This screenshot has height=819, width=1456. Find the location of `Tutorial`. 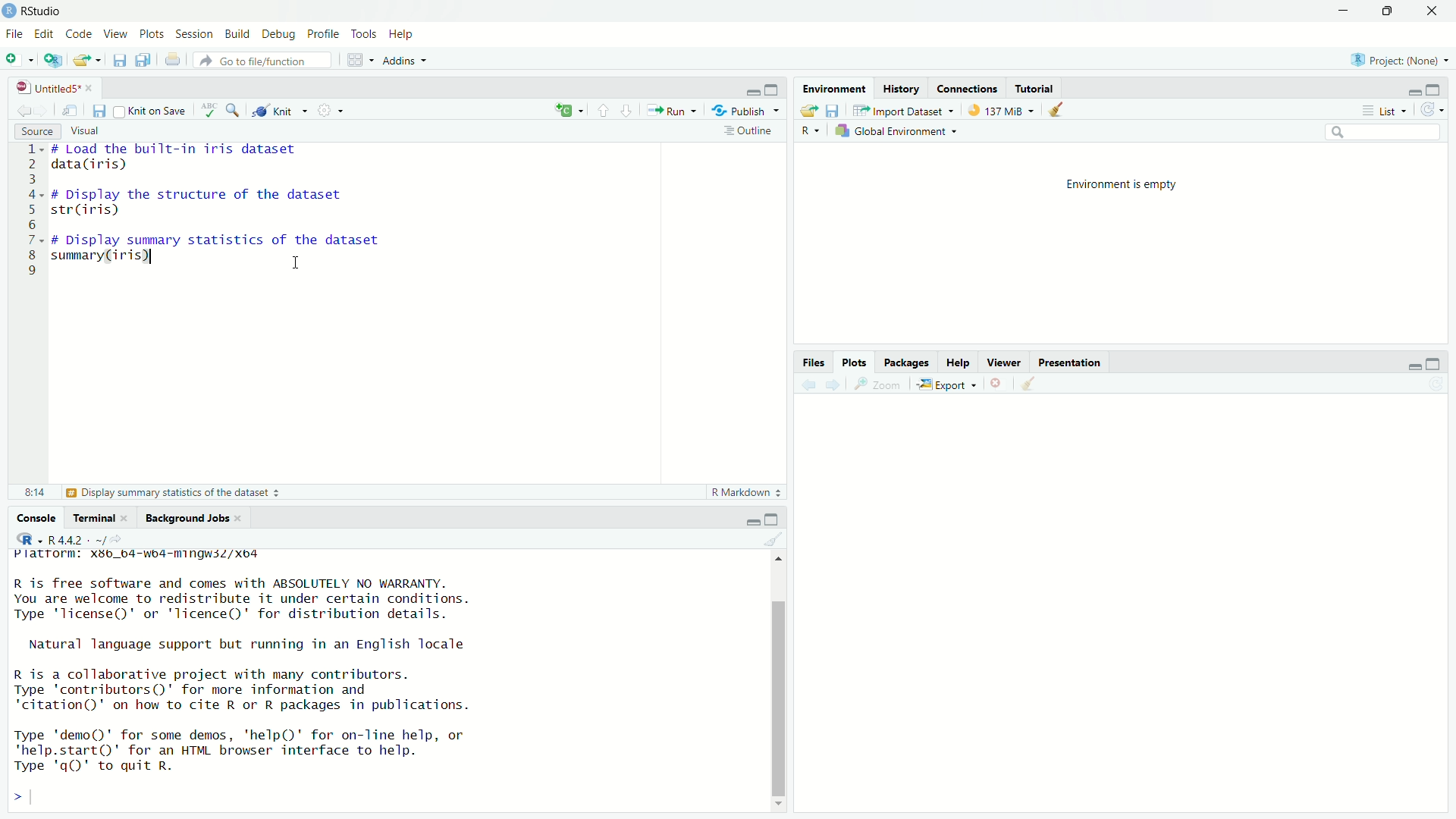

Tutorial is located at coordinates (1035, 86).